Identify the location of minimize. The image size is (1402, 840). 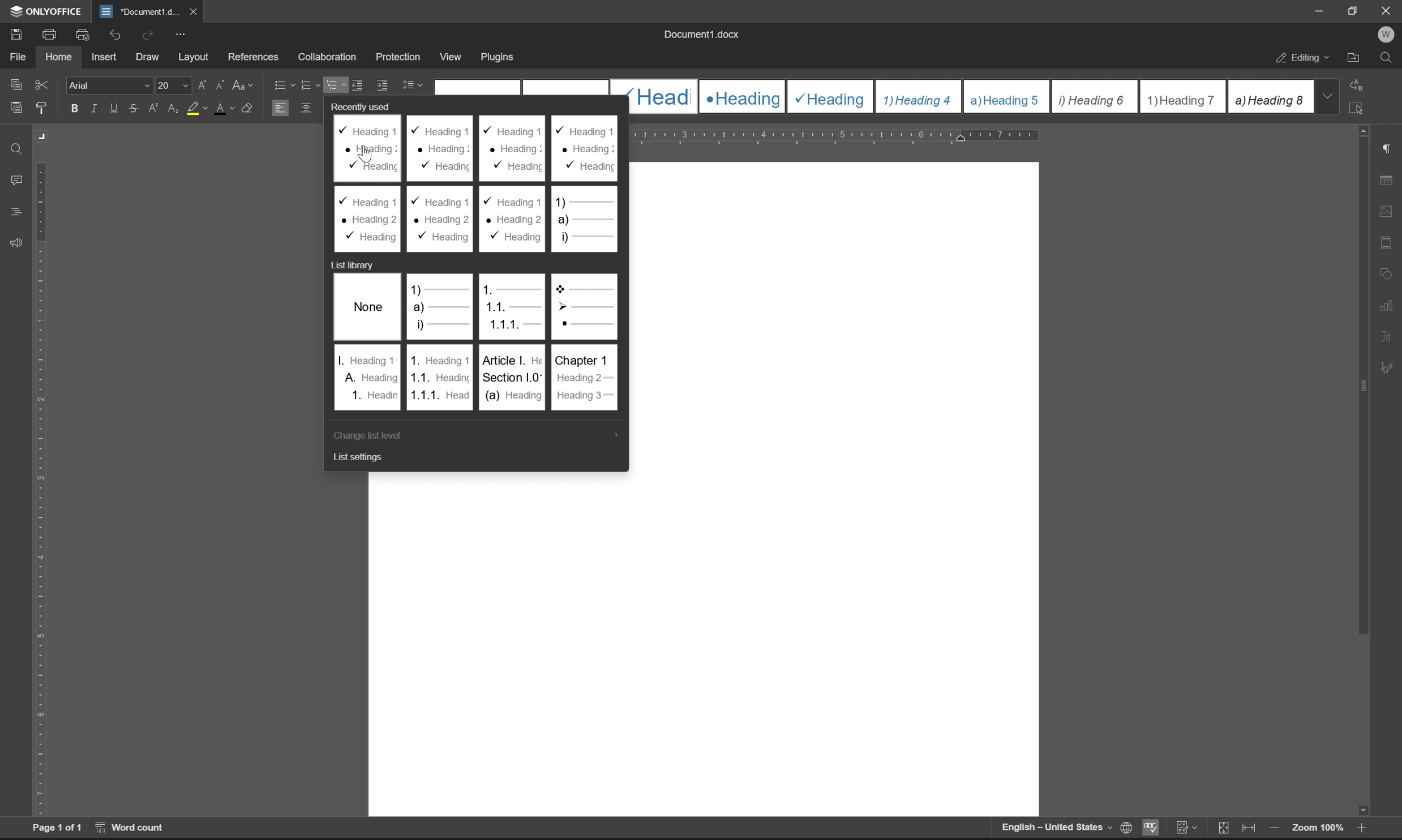
(1320, 11).